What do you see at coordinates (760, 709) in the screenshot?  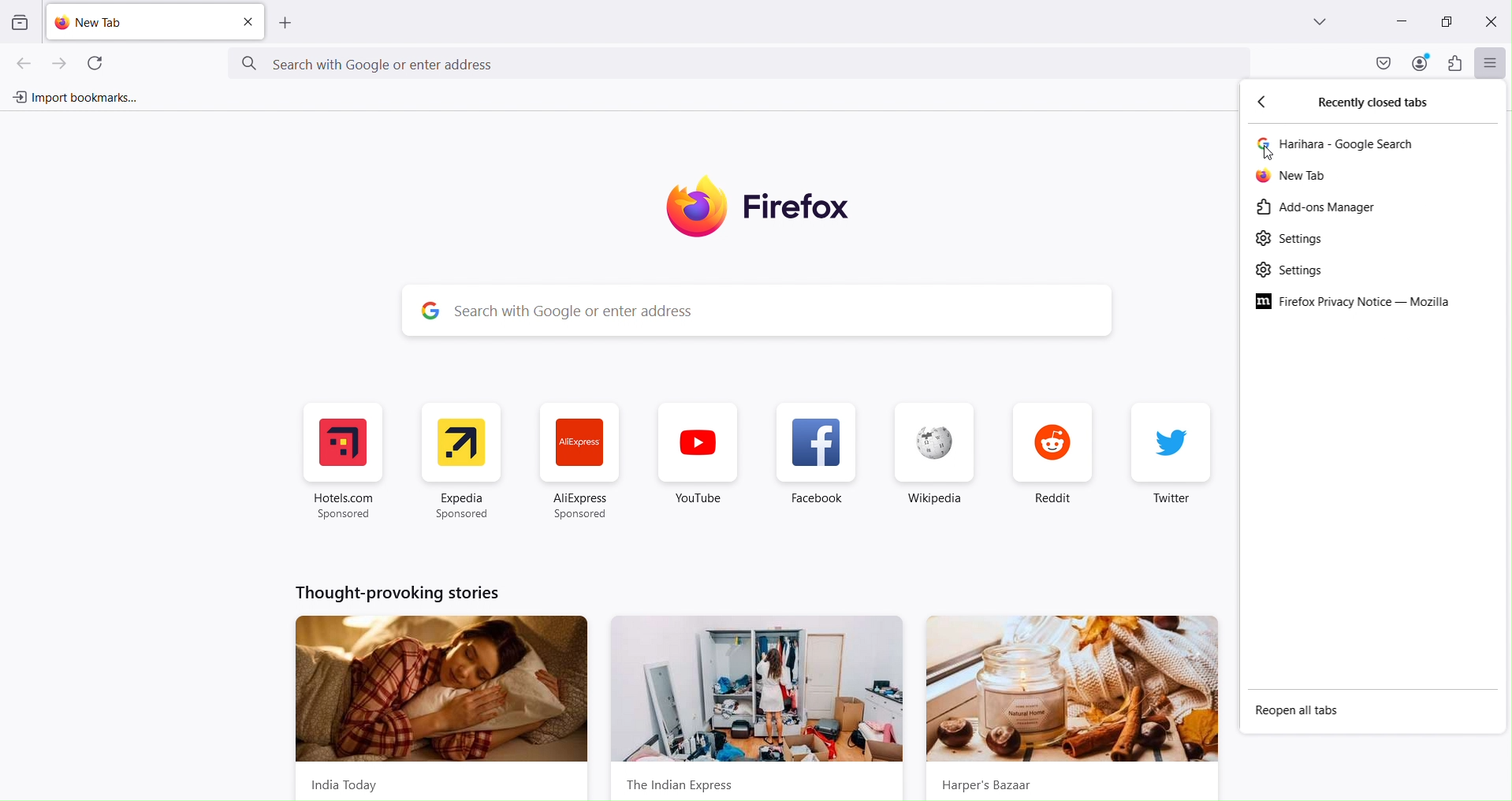 I see `the Indian express` at bounding box center [760, 709].